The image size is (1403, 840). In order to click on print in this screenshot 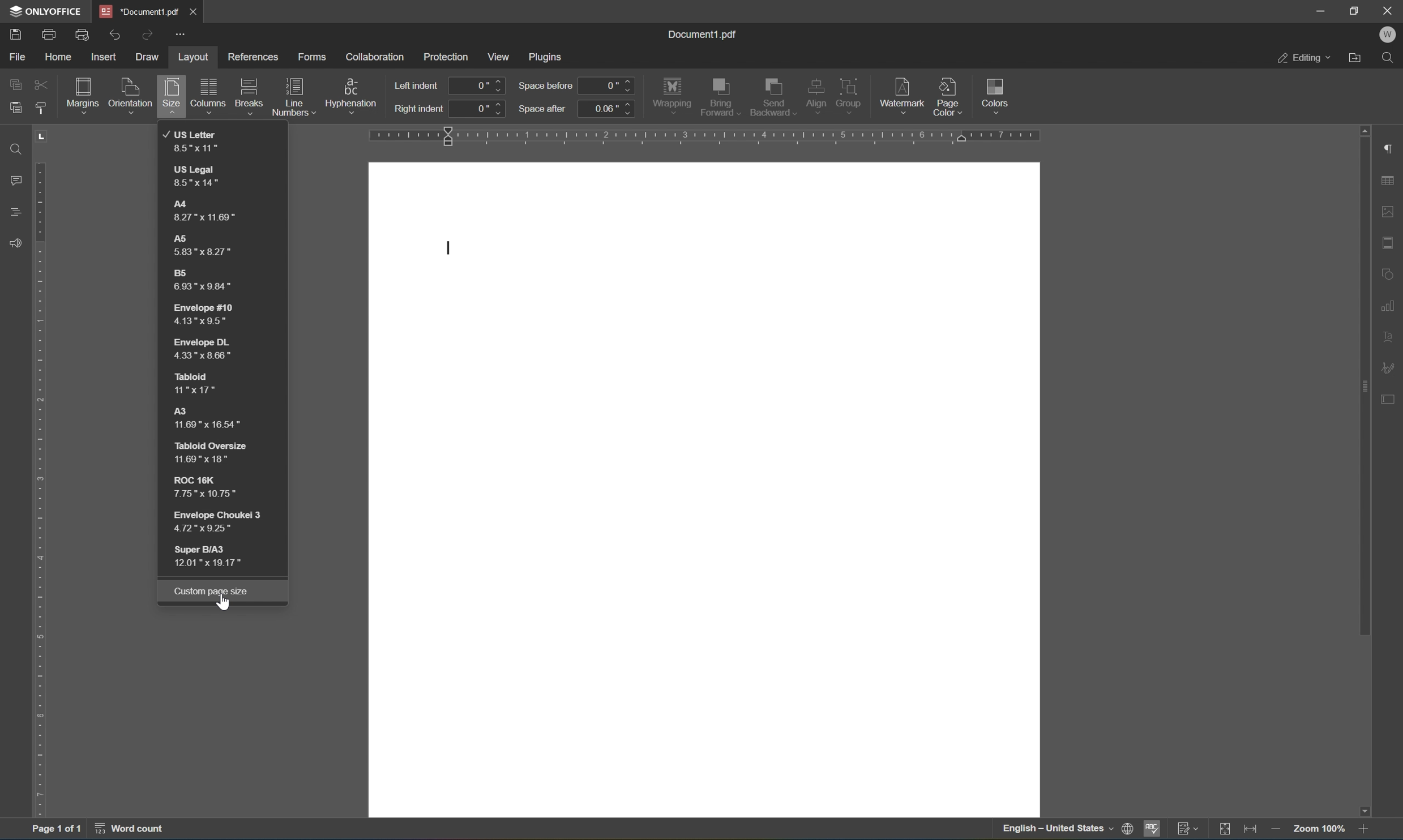, I will do `click(49, 32)`.